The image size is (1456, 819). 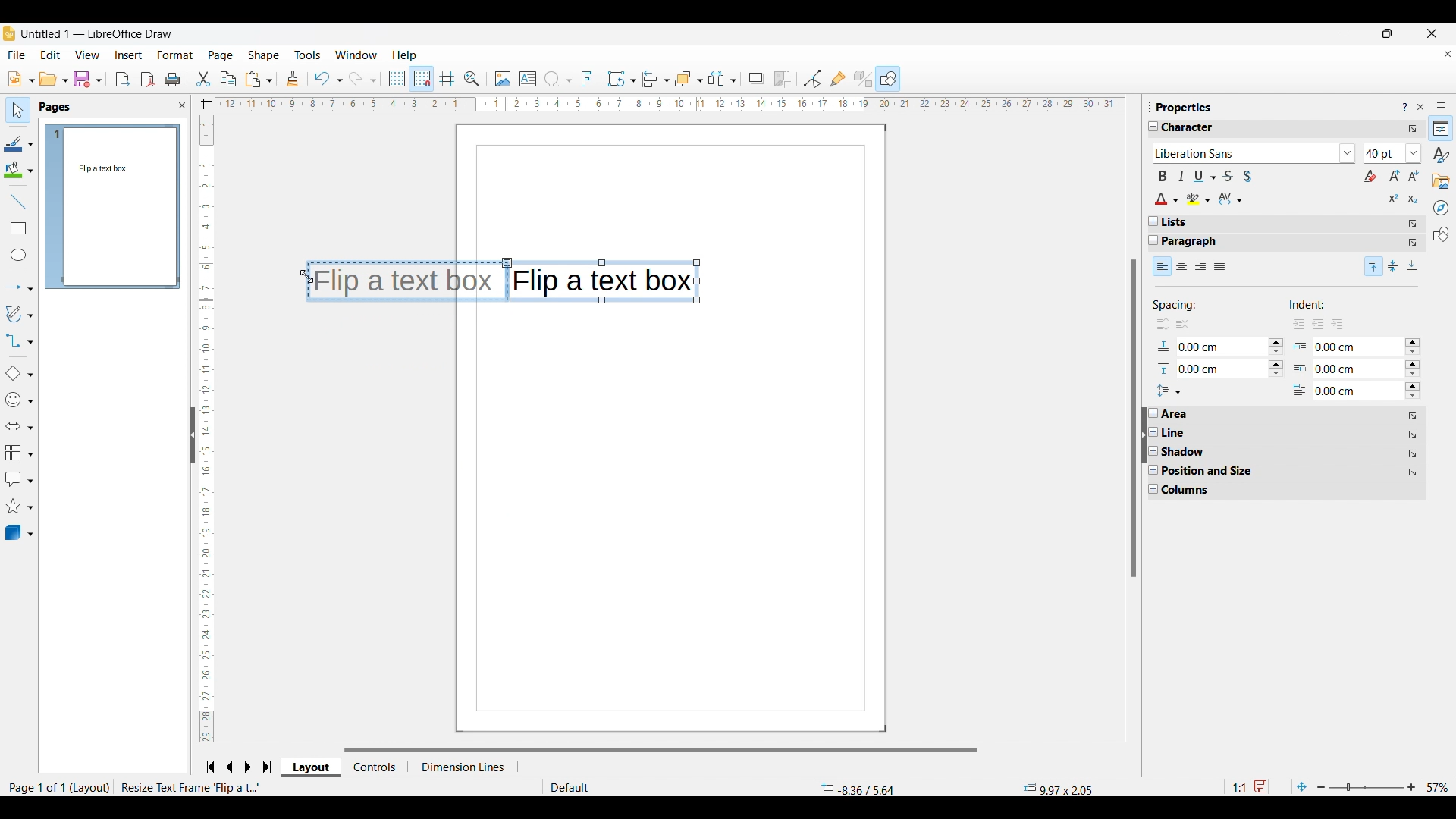 I want to click on Edit menu, so click(x=51, y=55).